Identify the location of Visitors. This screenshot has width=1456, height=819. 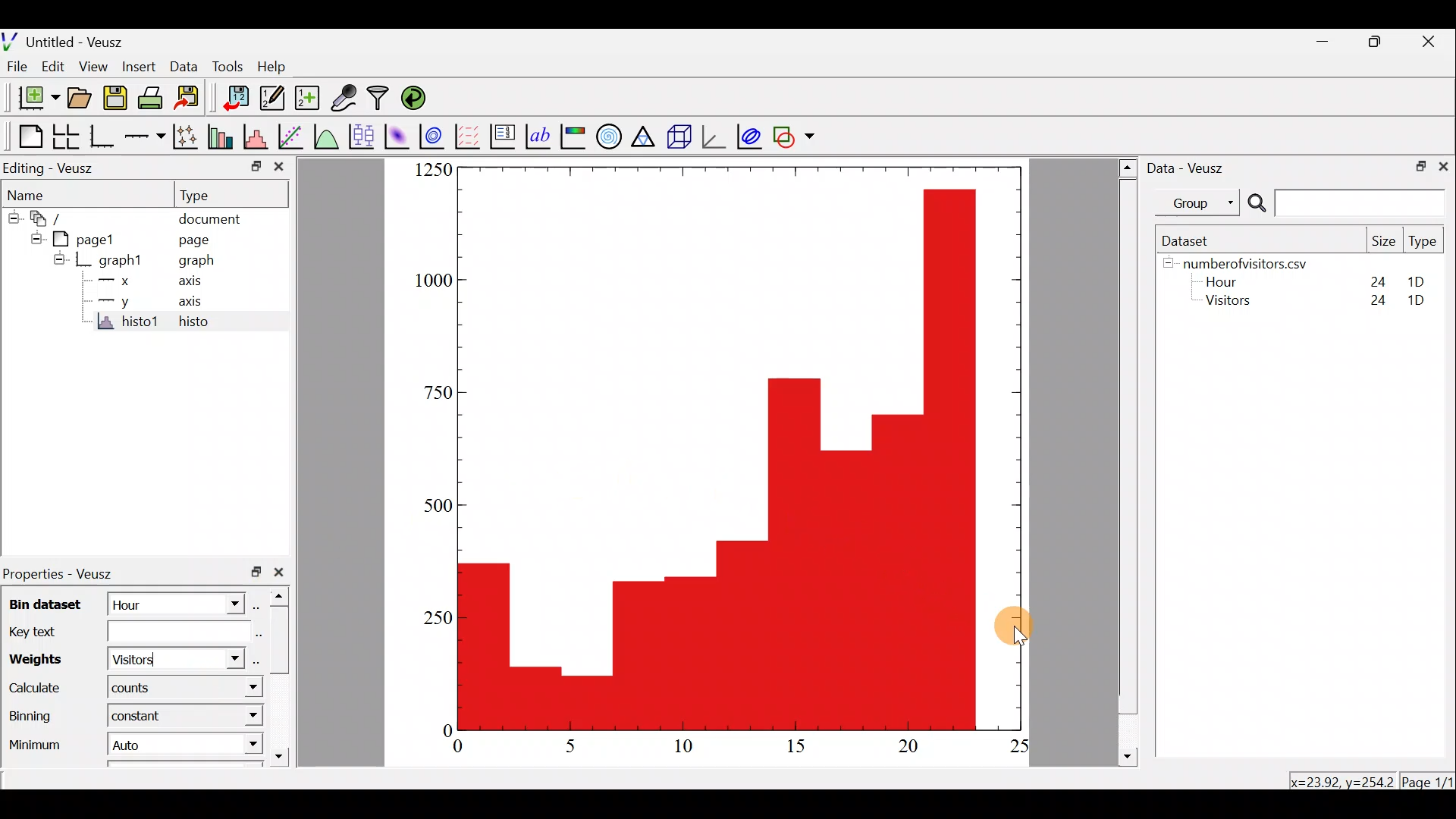
(146, 661).